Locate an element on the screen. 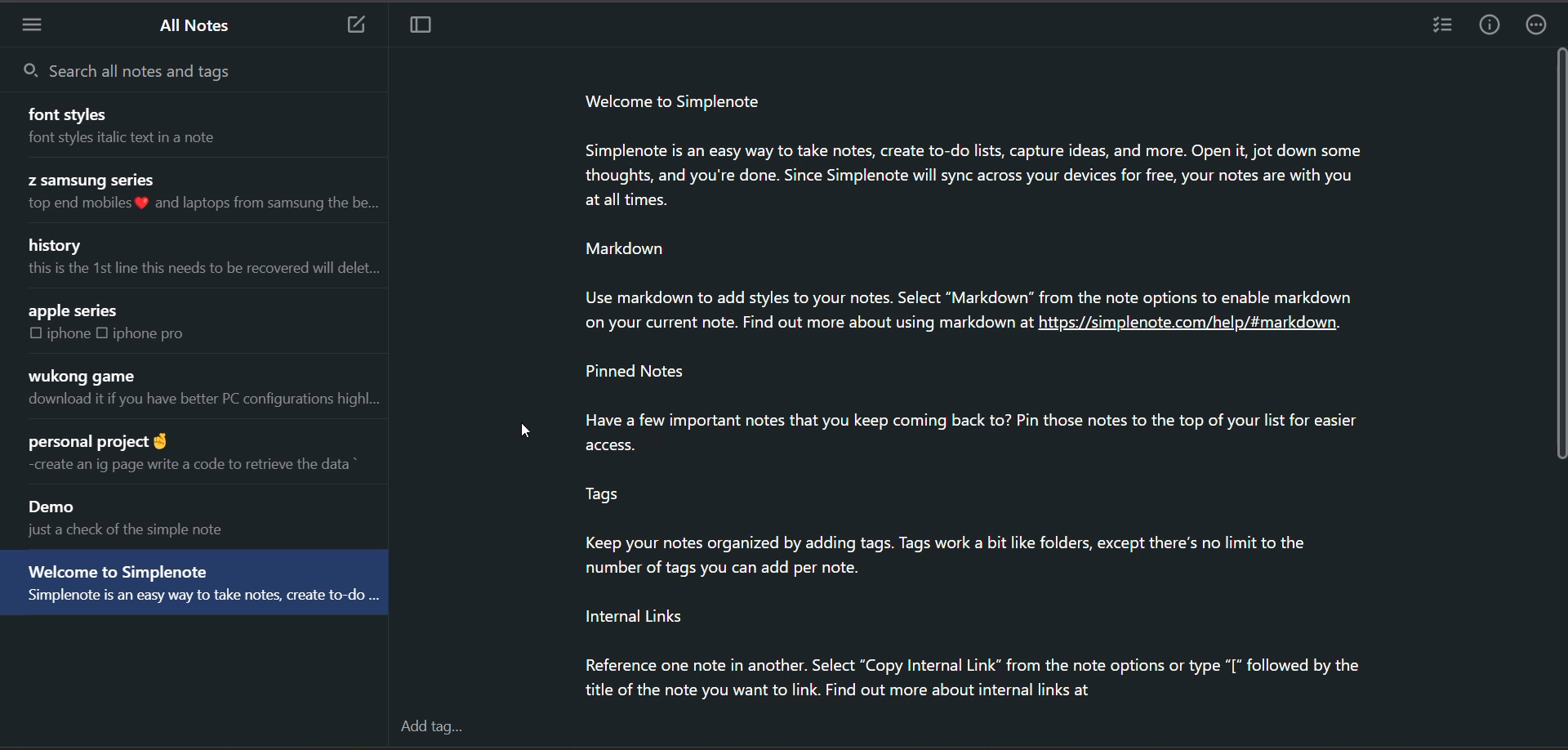 The width and height of the screenshot is (1568, 750). top end mobiles 8 and laptops from samsung the be is located at coordinates (197, 207).